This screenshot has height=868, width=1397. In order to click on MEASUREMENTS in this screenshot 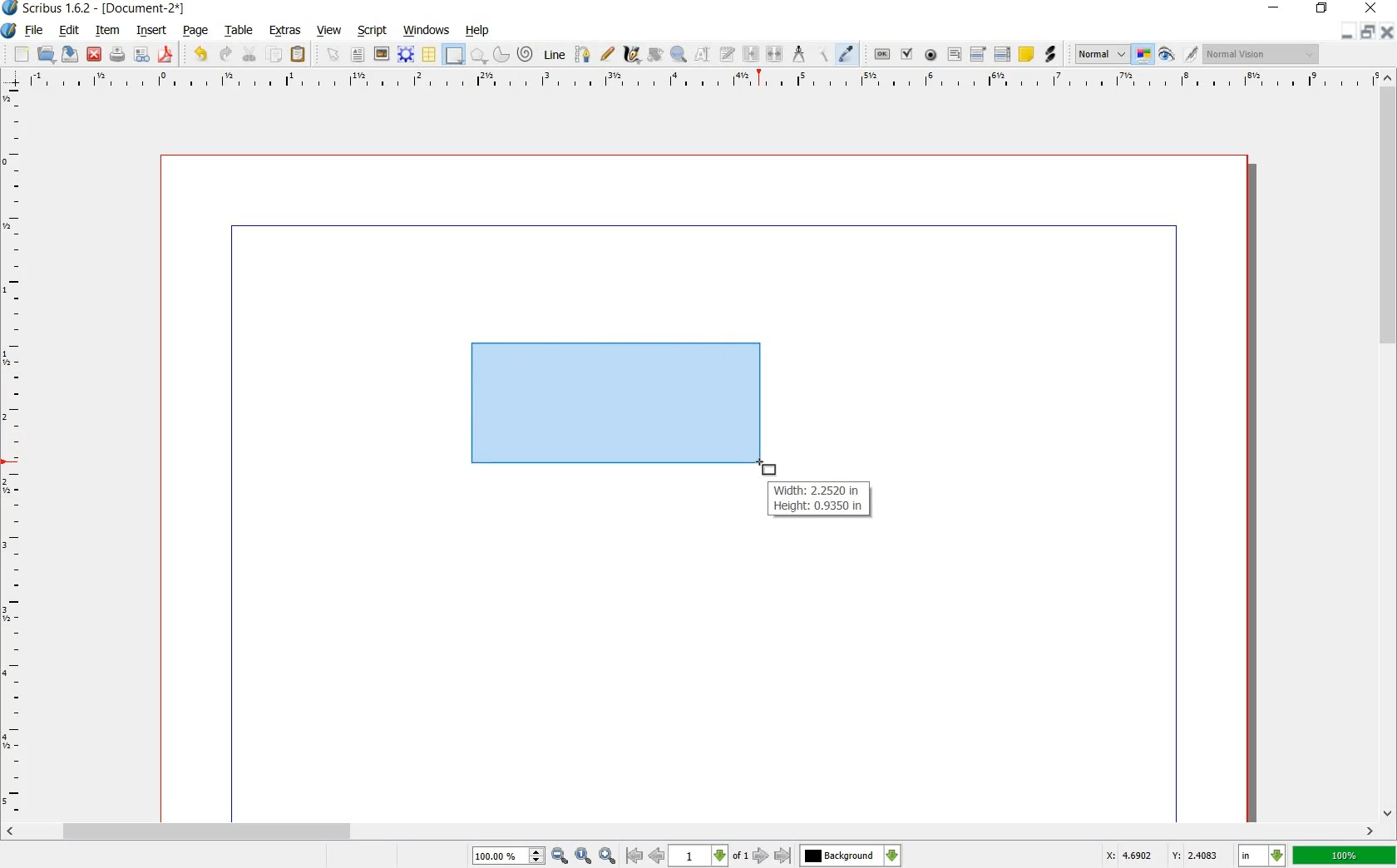, I will do `click(798, 54)`.